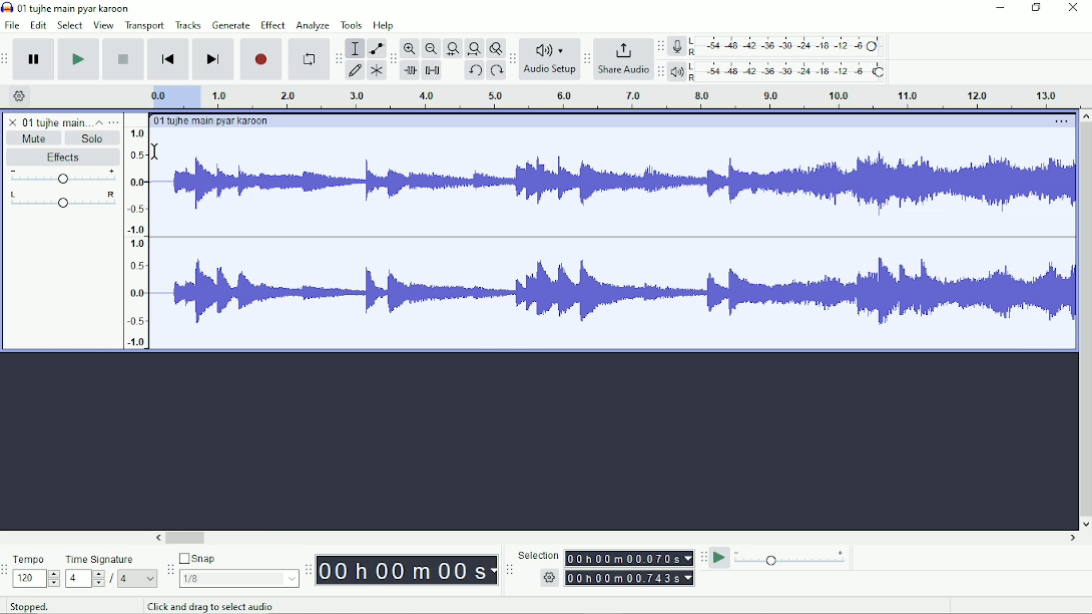 The image size is (1092, 614). I want to click on Audacity edit toolbar, so click(393, 60).